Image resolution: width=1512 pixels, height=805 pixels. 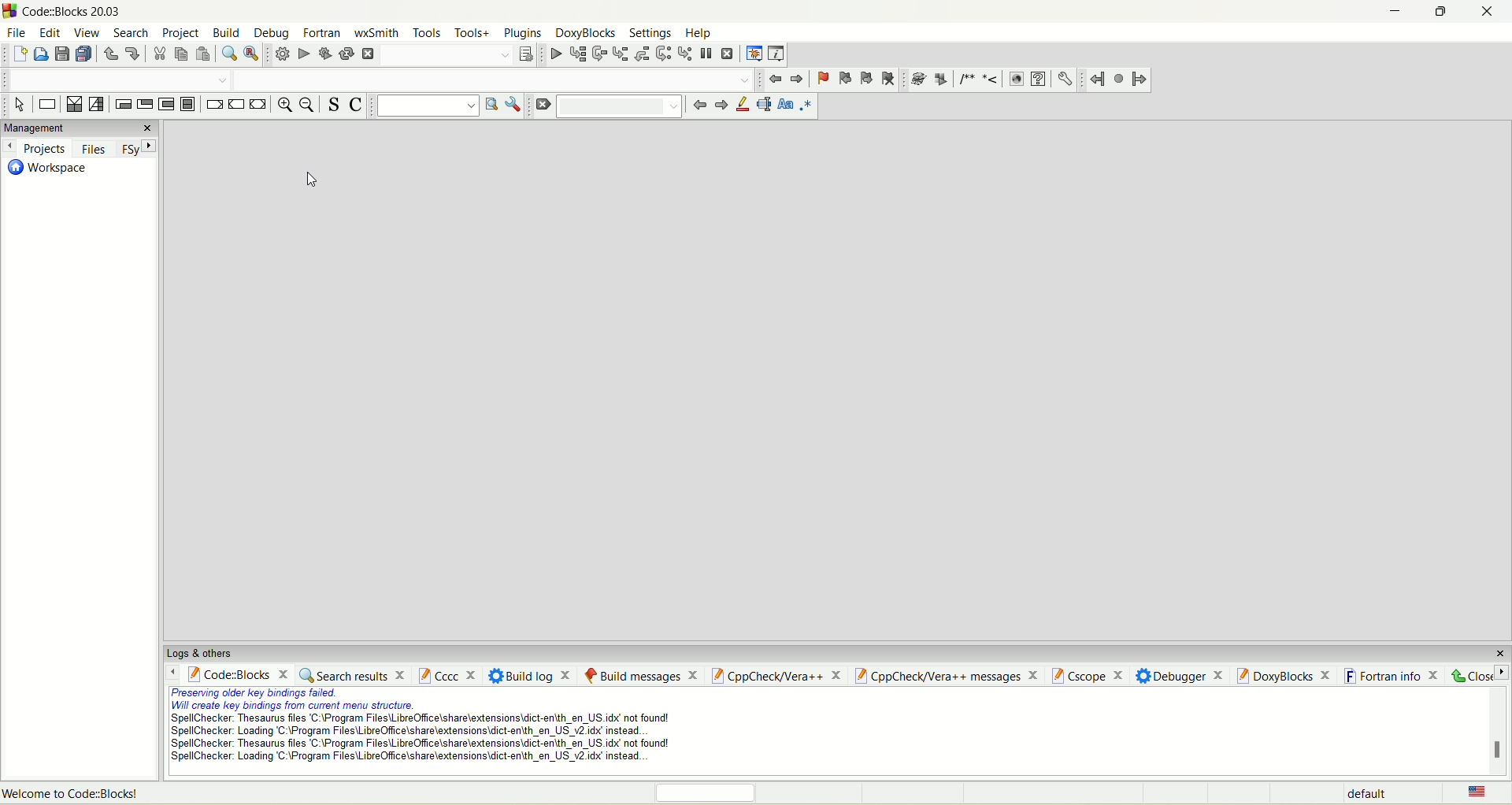 What do you see at coordinates (283, 55) in the screenshot?
I see `build` at bounding box center [283, 55].